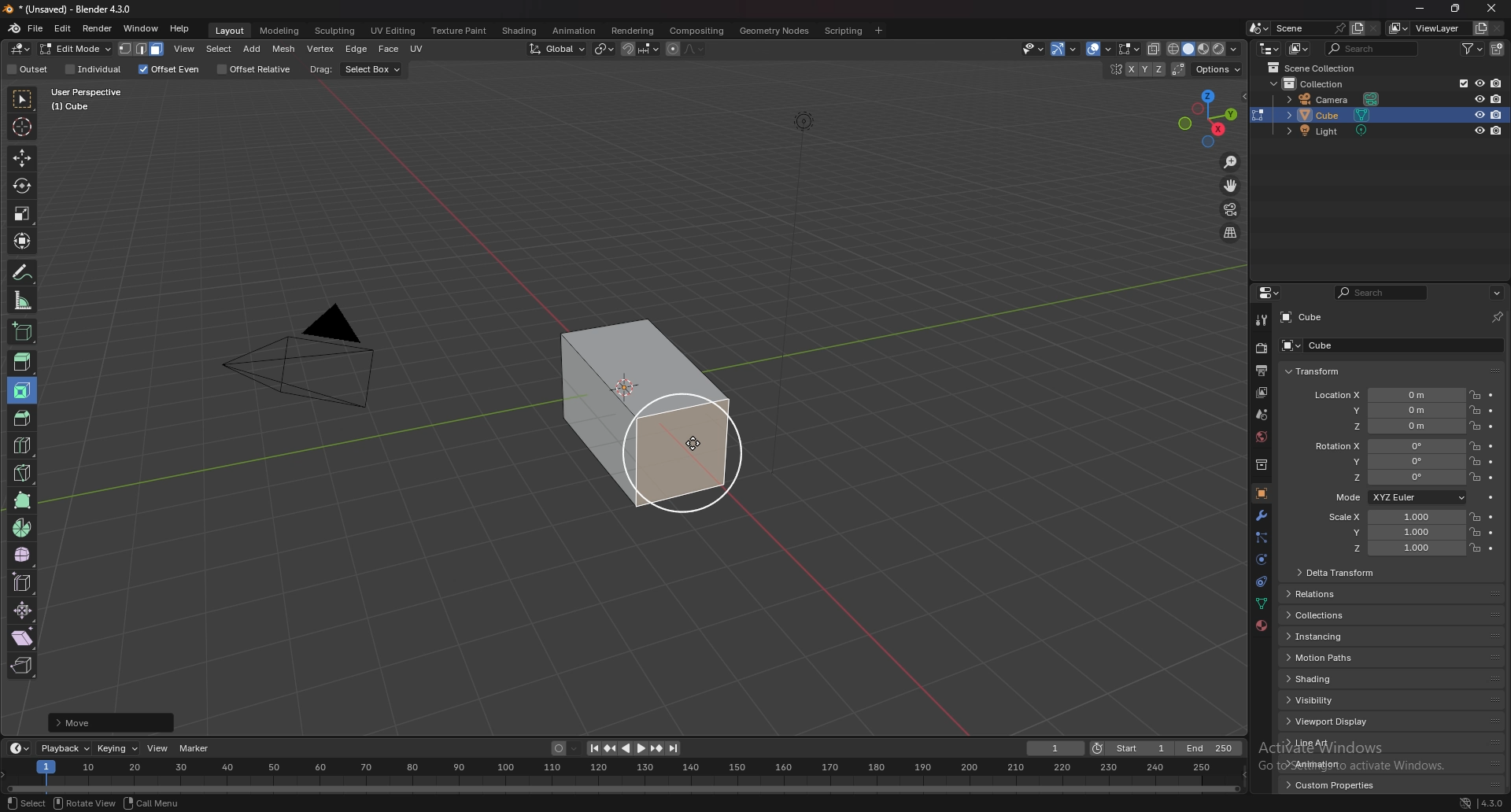  What do you see at coordinates (1466, 803) in the screenshot?
I see `network` at bounding box center [1466, 803].